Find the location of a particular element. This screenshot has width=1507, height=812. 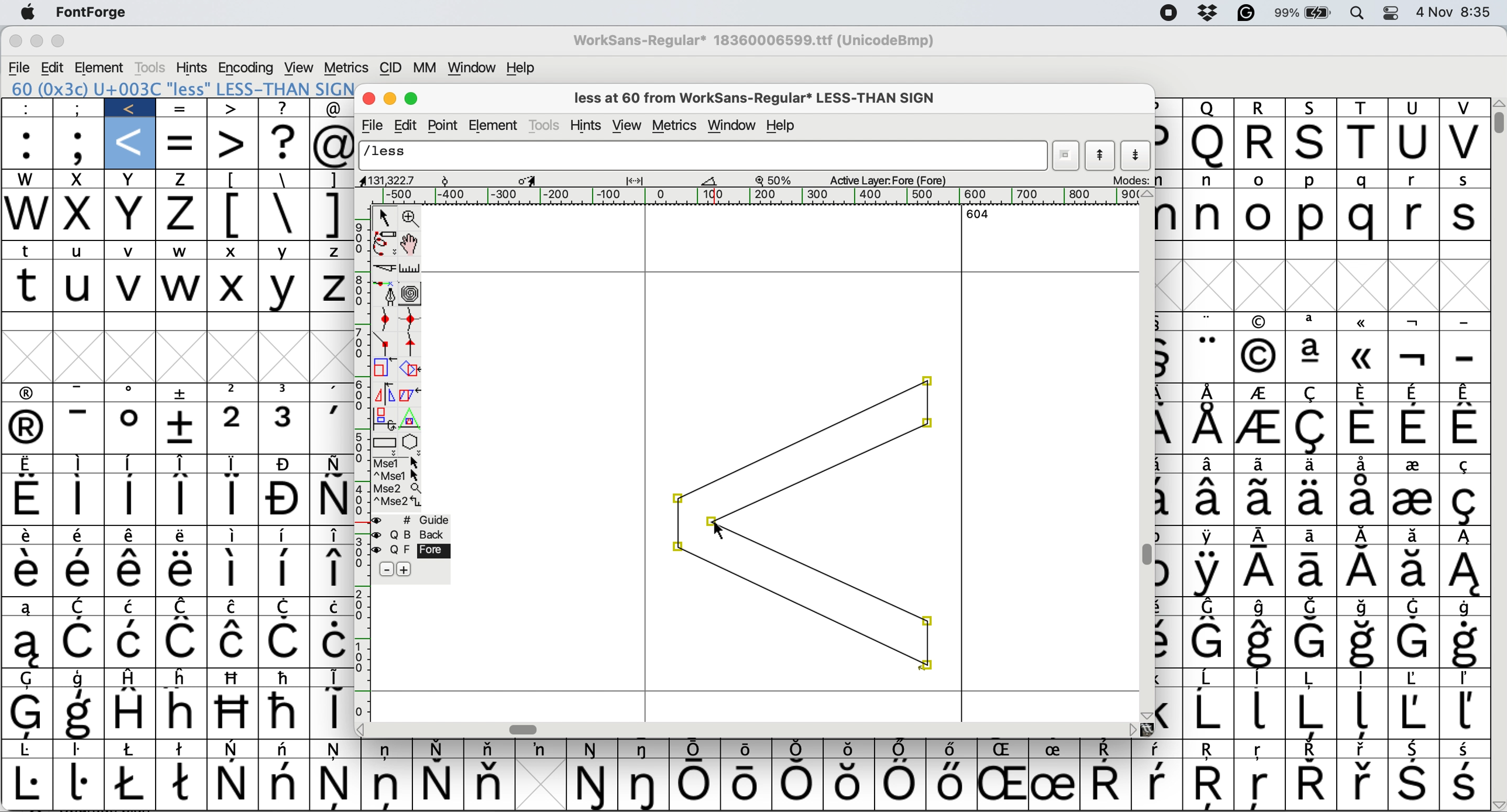

Symbol is located at coordinates (129, 500).